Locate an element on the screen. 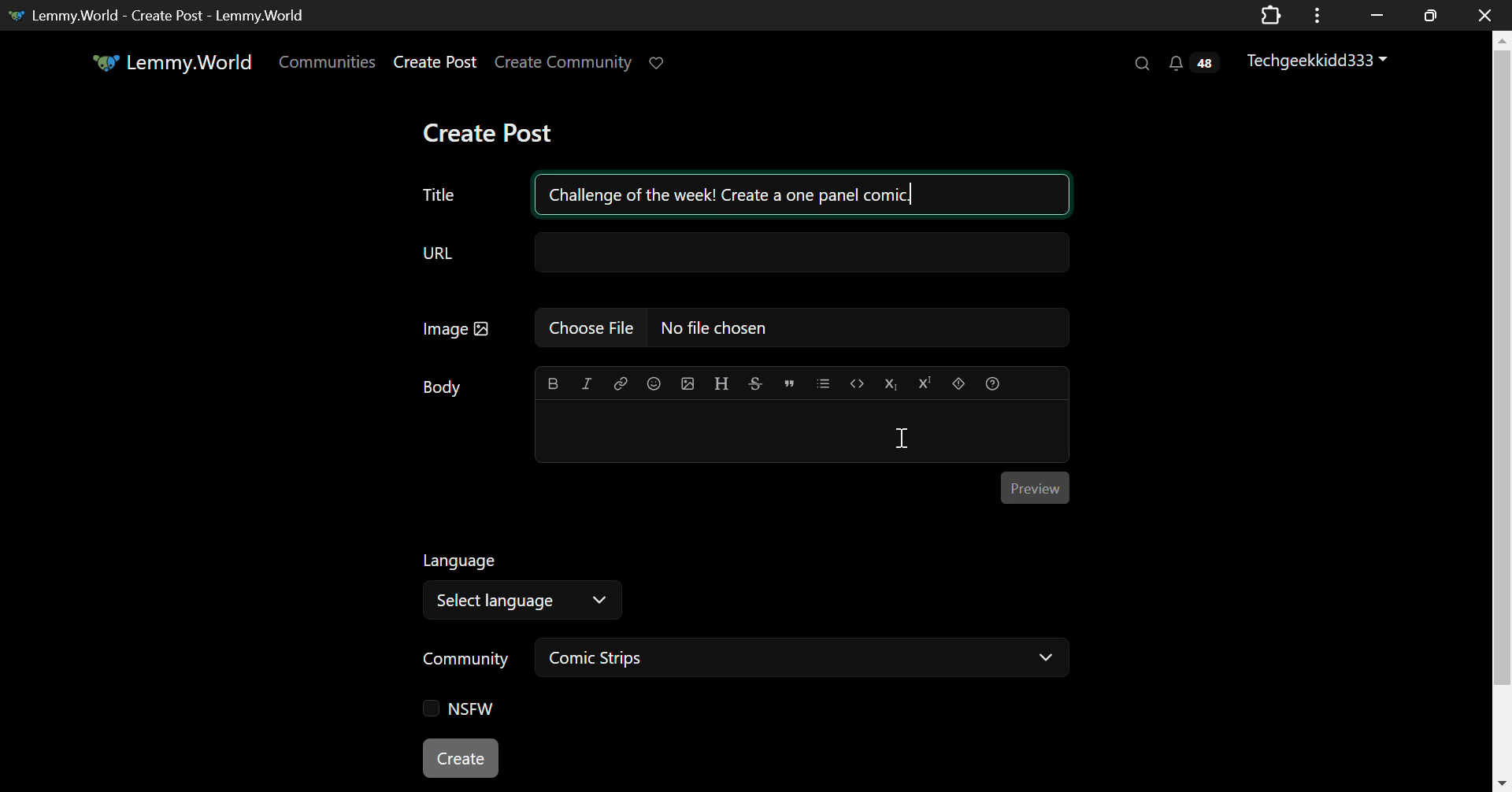 The height and width of the screenshot is (792, 1512). Superscript is located at coordinates (925, 383).